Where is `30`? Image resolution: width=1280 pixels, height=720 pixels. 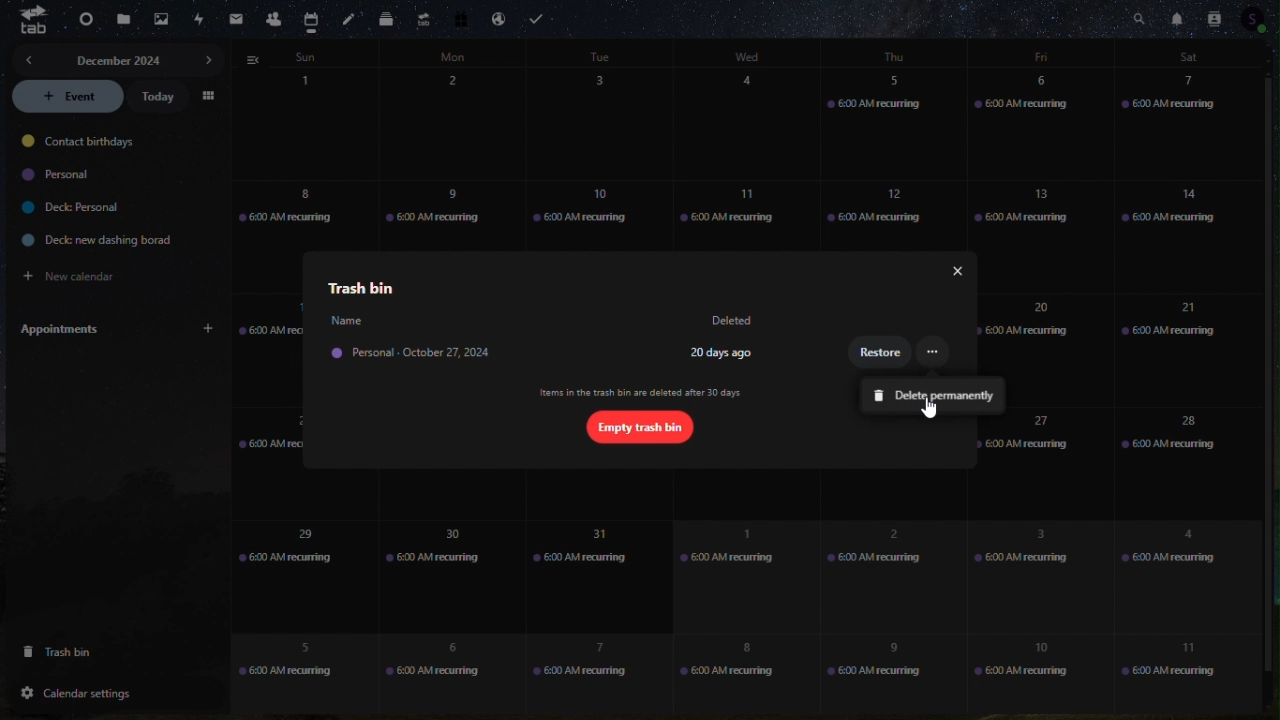
30 is located at coordinates (438, 574).